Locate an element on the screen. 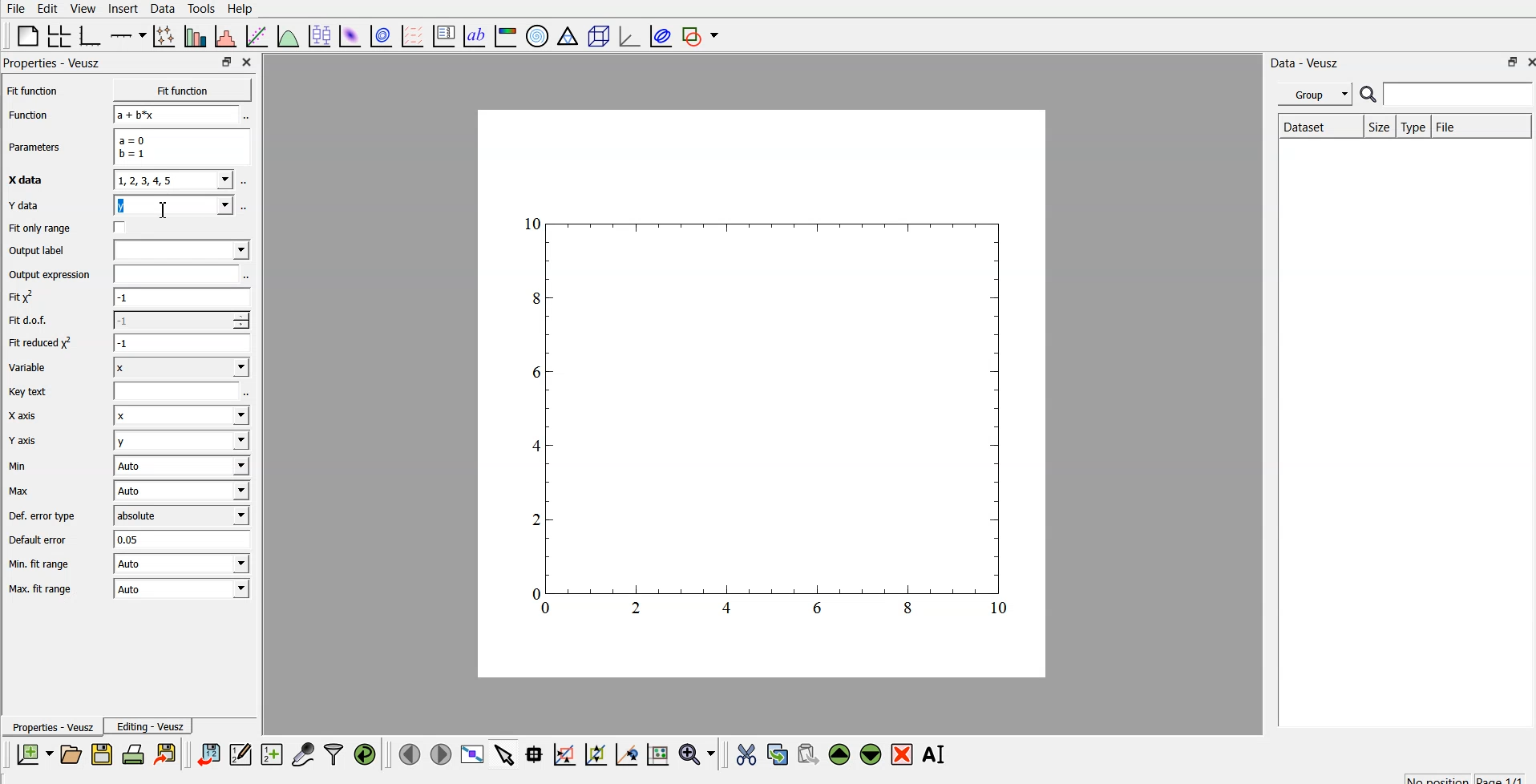  print is located at coordinates (134, 755).